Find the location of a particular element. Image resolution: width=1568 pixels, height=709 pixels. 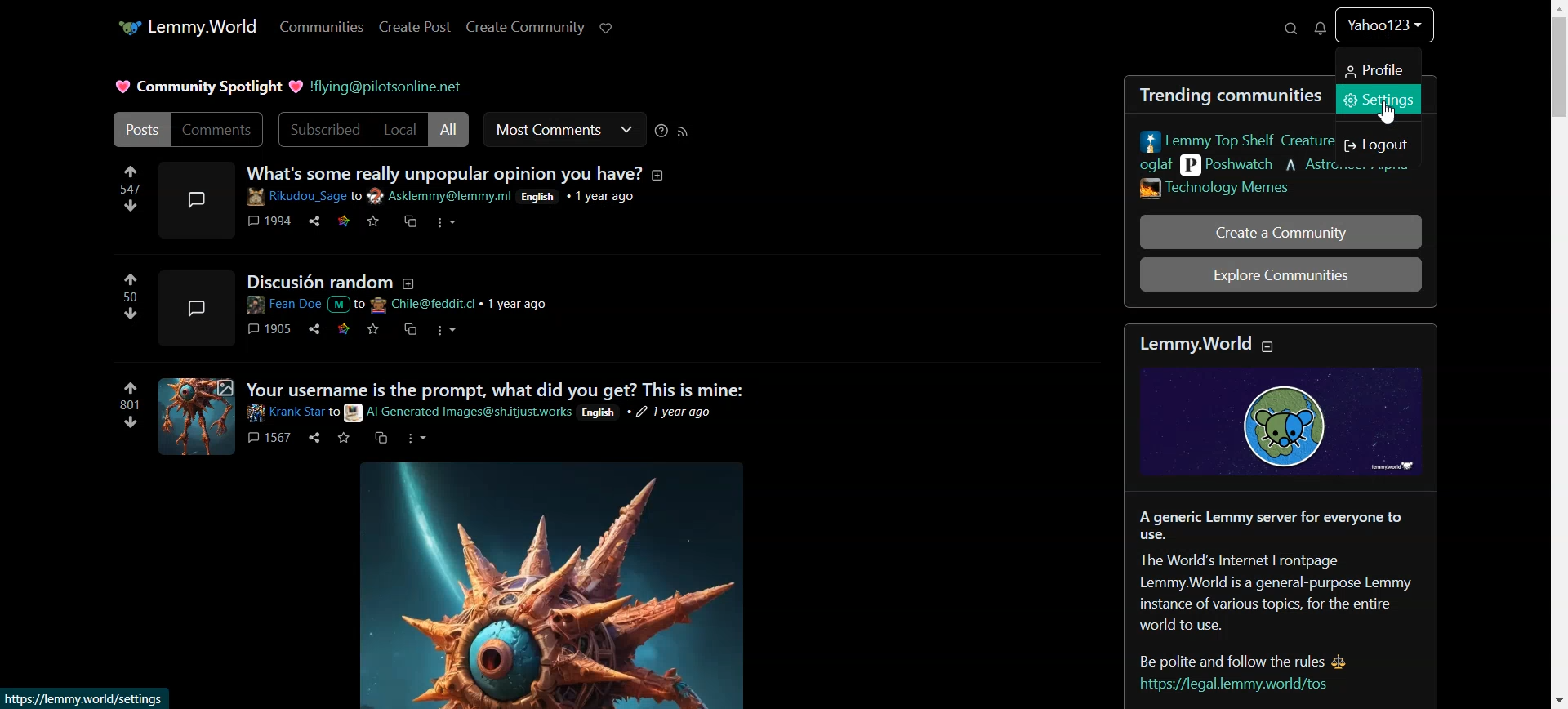

Trending communities is located at coordinates (1221, 95).